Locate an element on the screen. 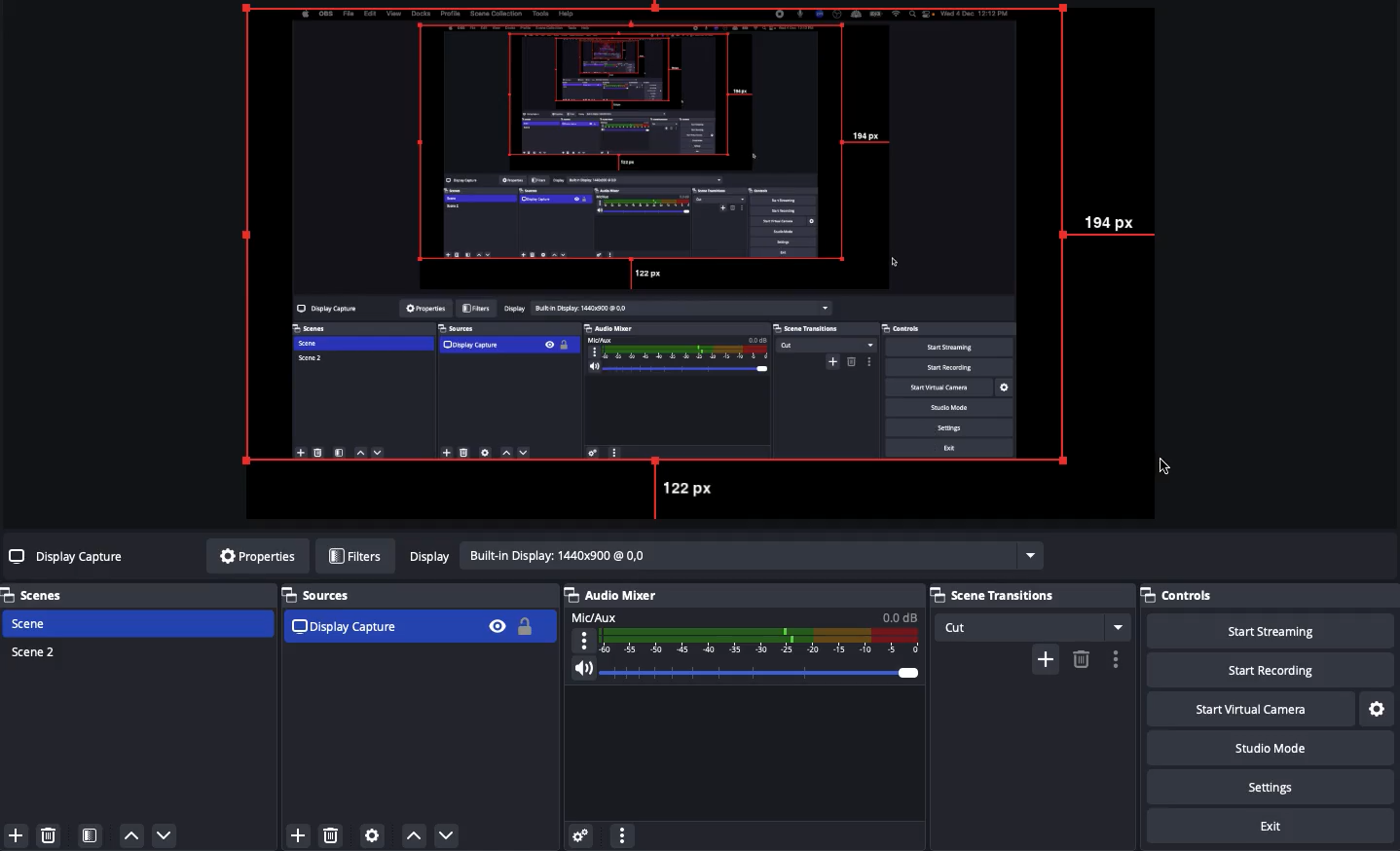 This screenshot has width=1400, height=851. Down is located at coordinates (448, 832).